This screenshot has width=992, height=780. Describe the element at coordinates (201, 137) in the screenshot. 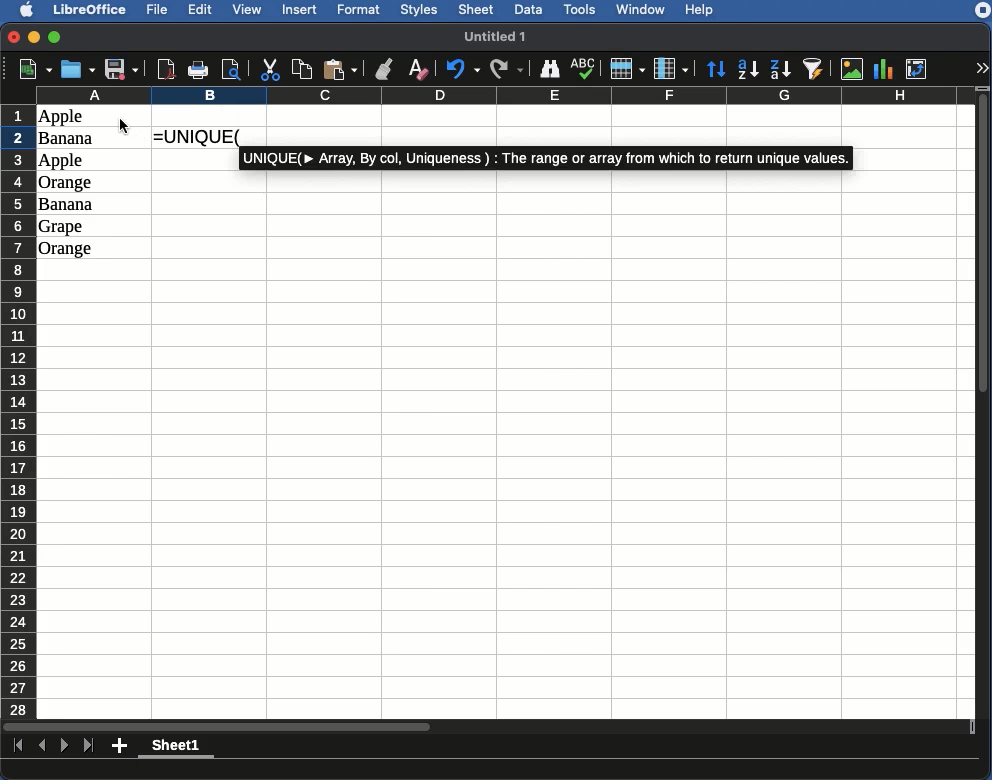

I see `=UNIQUE(` at that location.